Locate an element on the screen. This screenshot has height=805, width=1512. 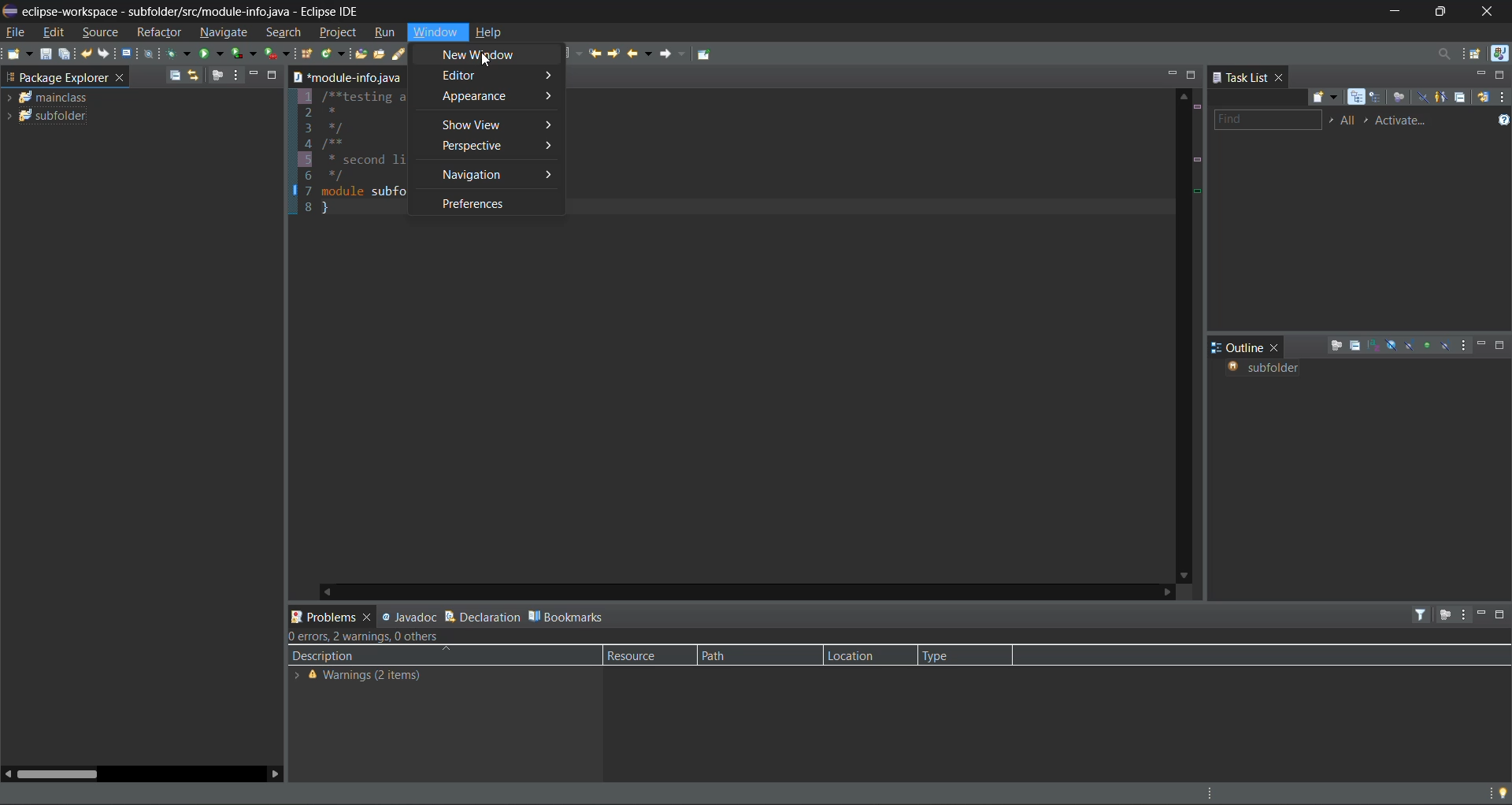
preferences is located at coordinates (480, 205).